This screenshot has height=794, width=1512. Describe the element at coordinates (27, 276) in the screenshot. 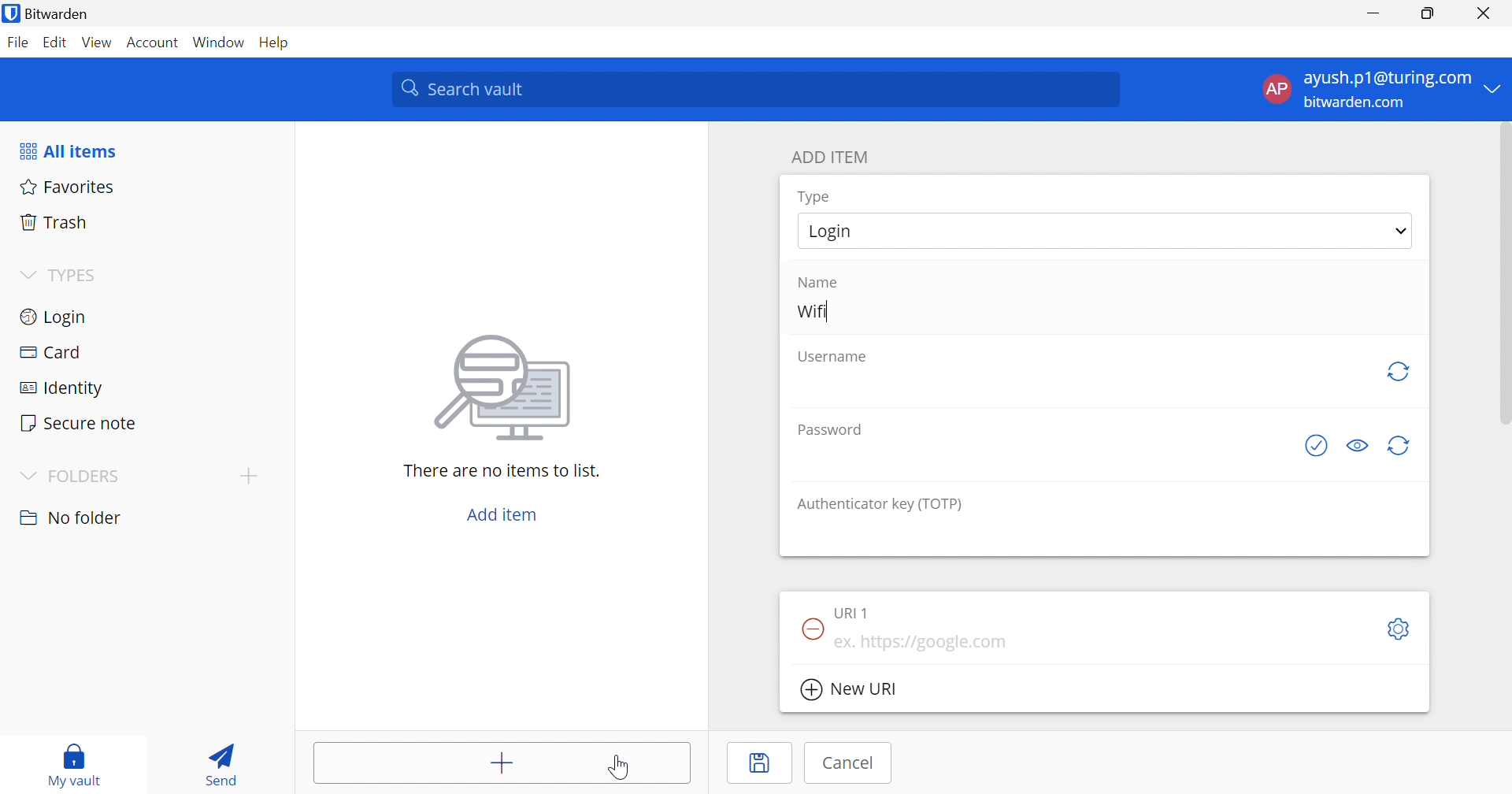

I see `Drop Down` at that location.